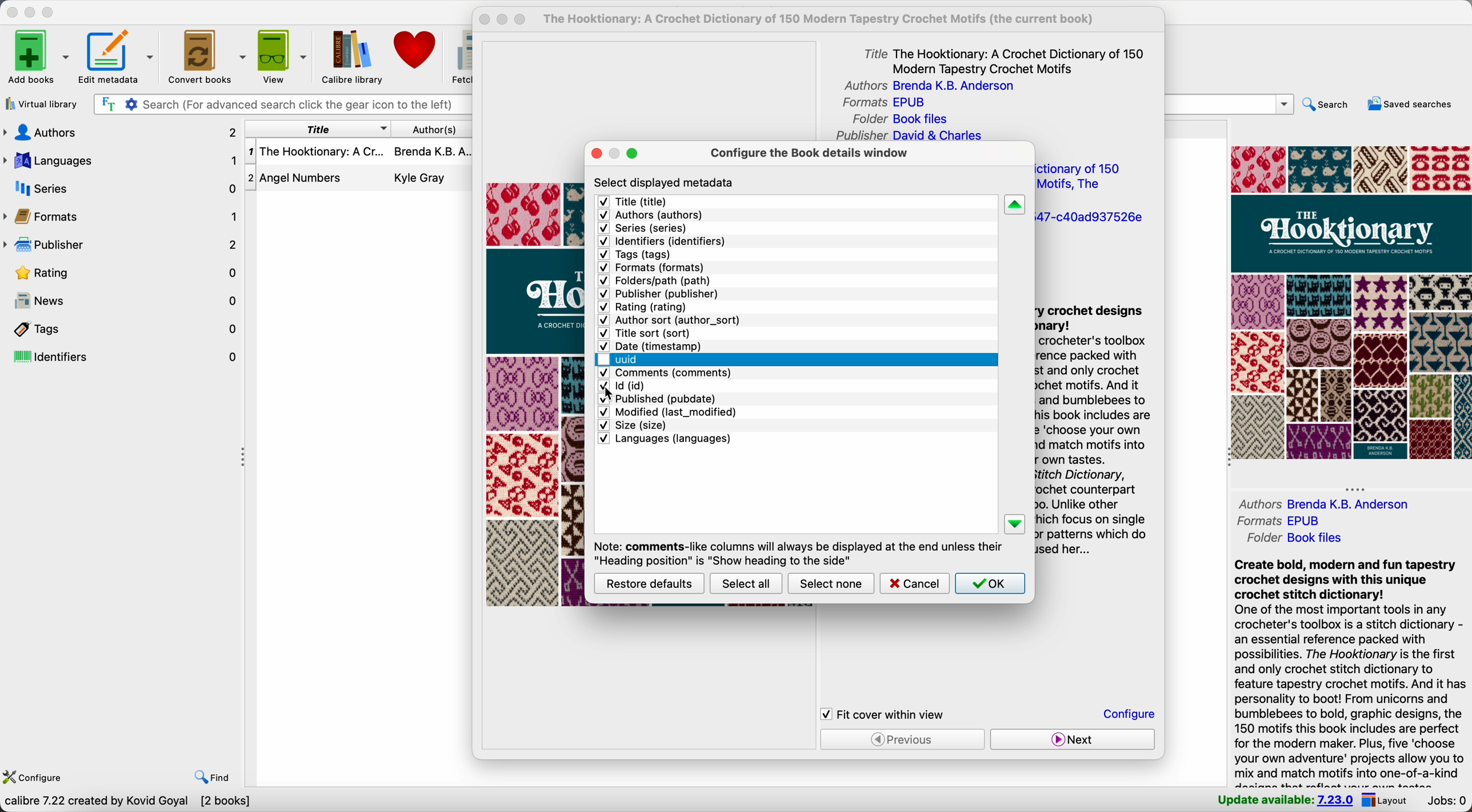  Describe the element at coordinates (127, 802) in the screenshot. I see `data` at that location.